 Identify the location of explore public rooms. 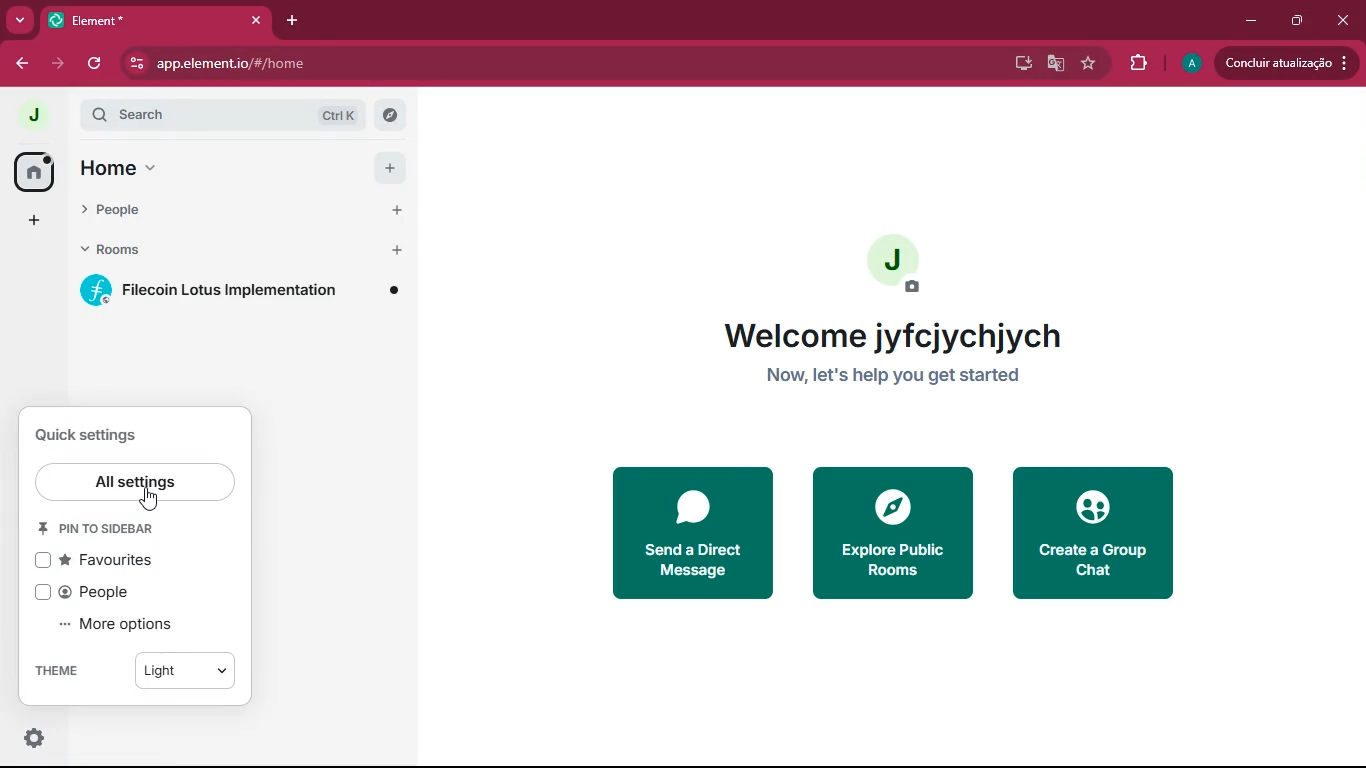
(890, 532).